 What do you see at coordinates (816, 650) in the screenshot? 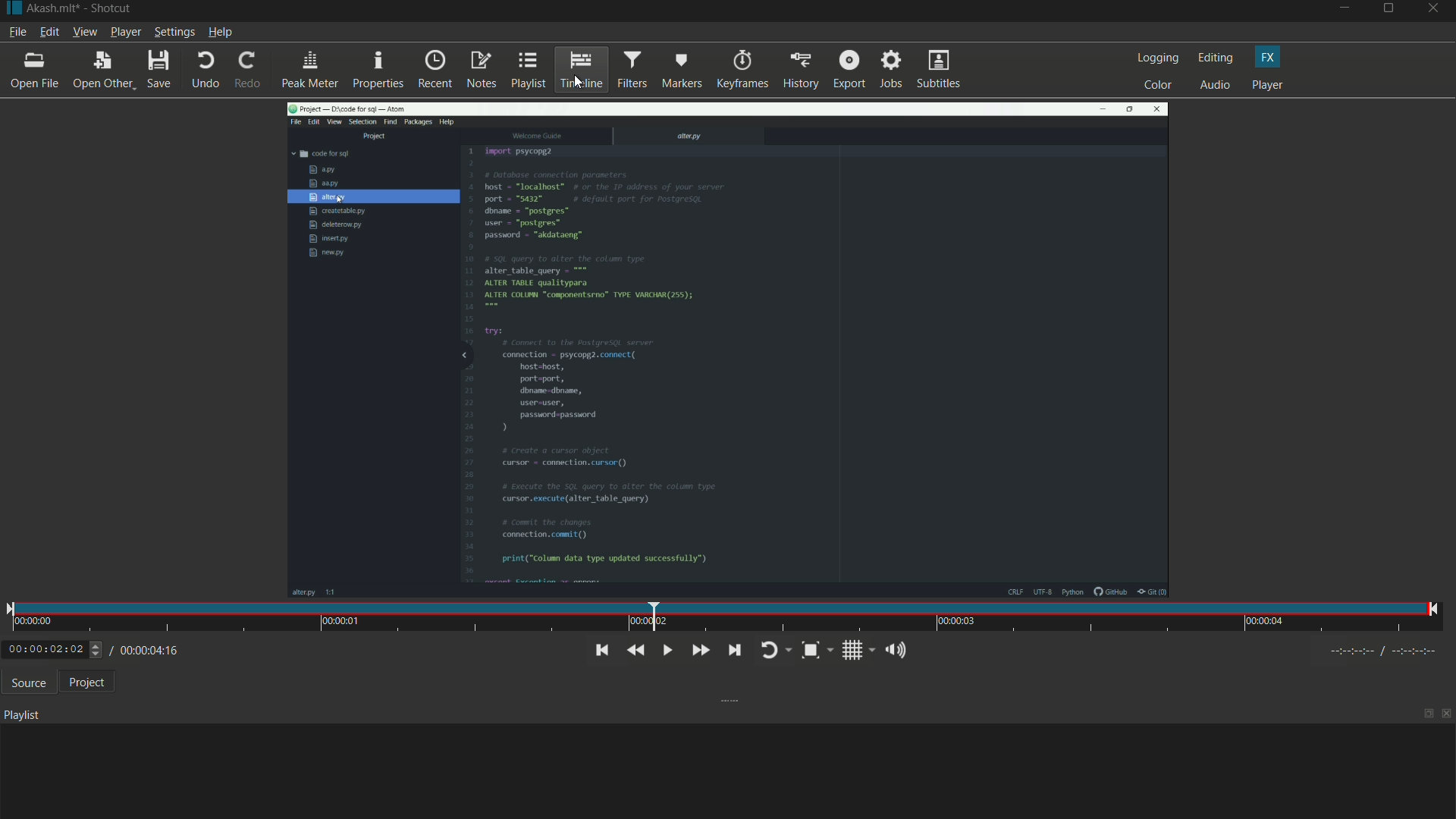
I see `toggle zoom` at bounding box center [816, 650].